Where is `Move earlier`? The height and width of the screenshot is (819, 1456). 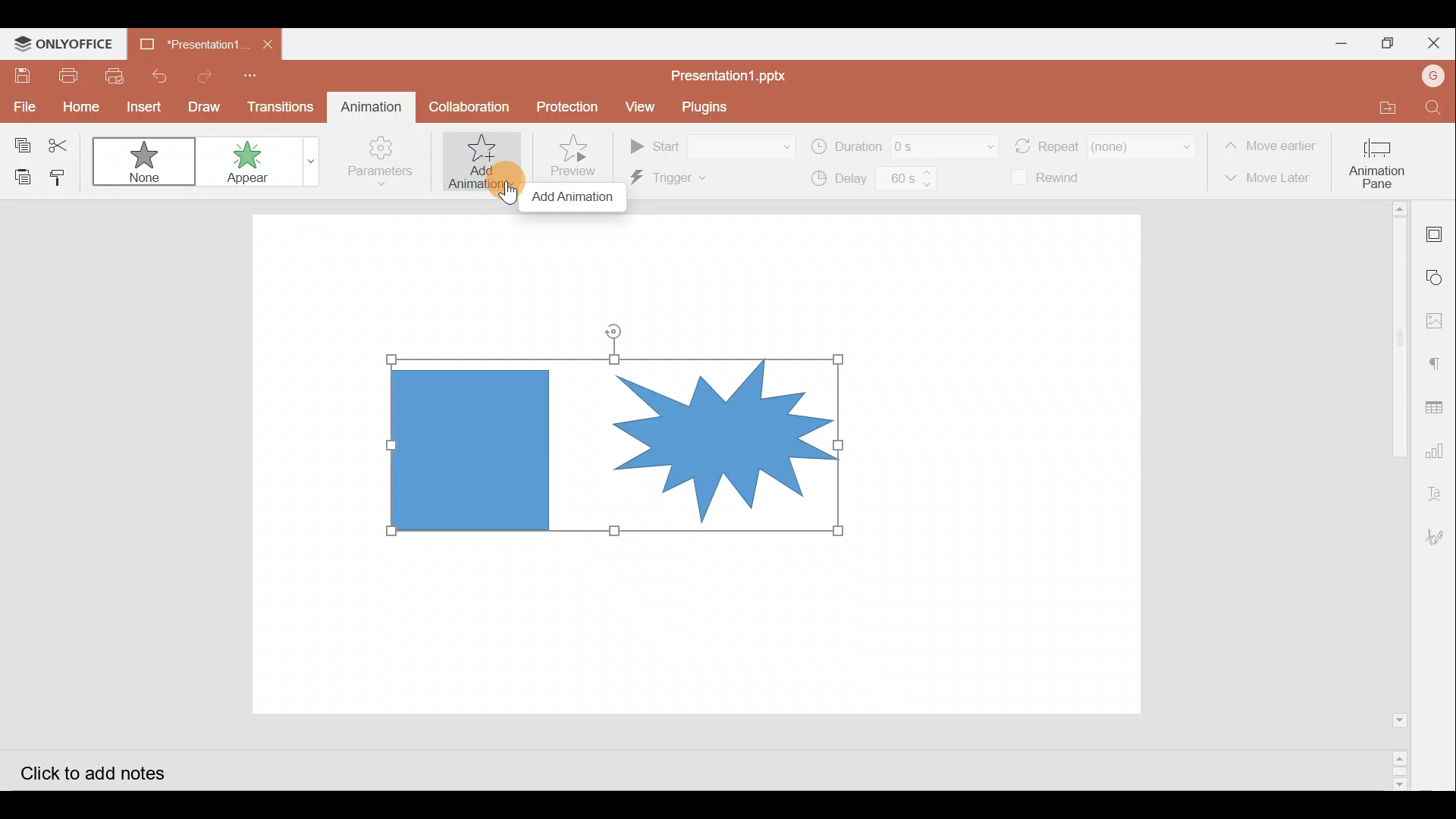
Move earlier is located at coordinates (1273, 146).